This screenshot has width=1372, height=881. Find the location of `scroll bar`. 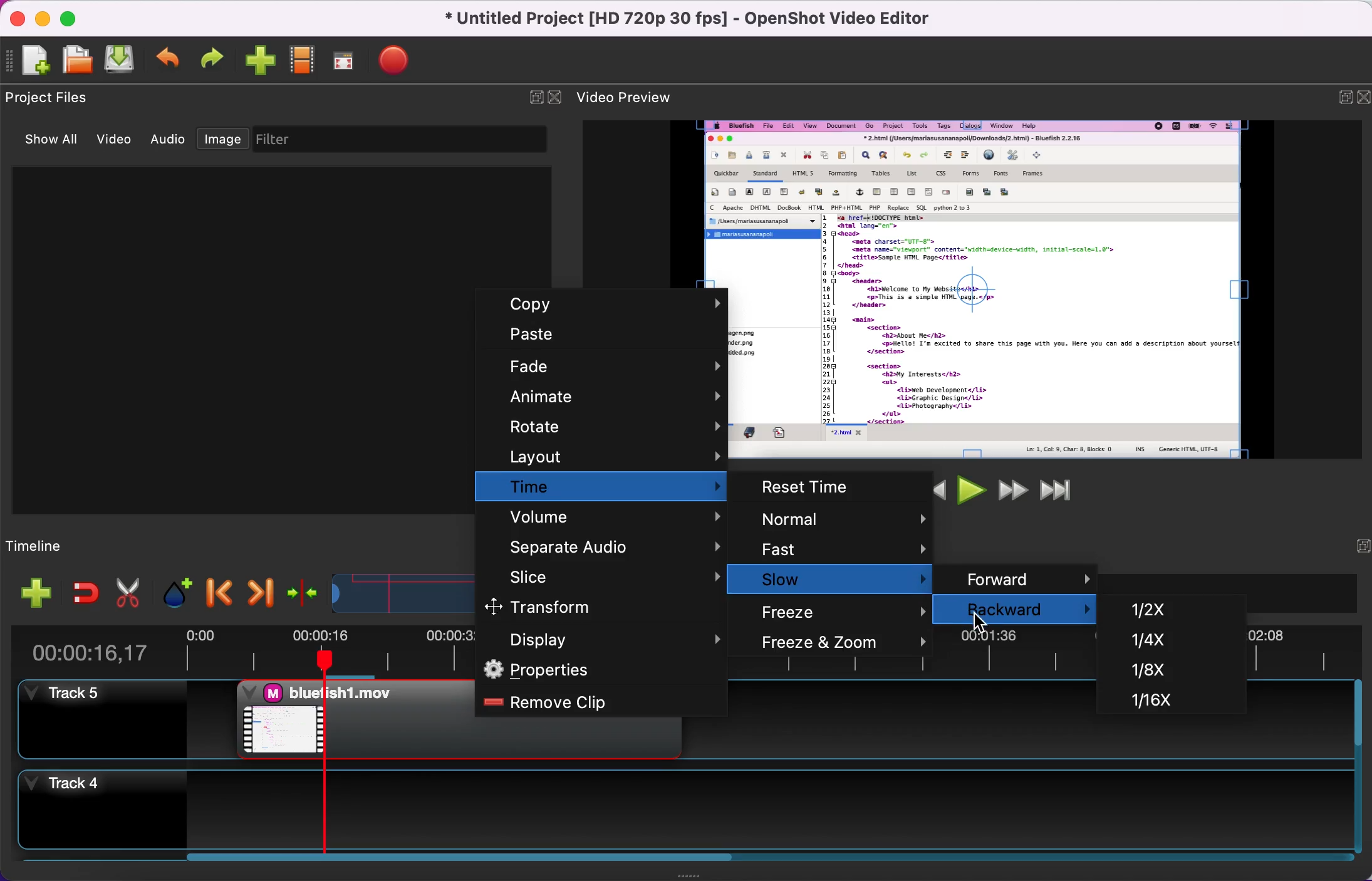

scroll bar is located at coordinates (450, 863).